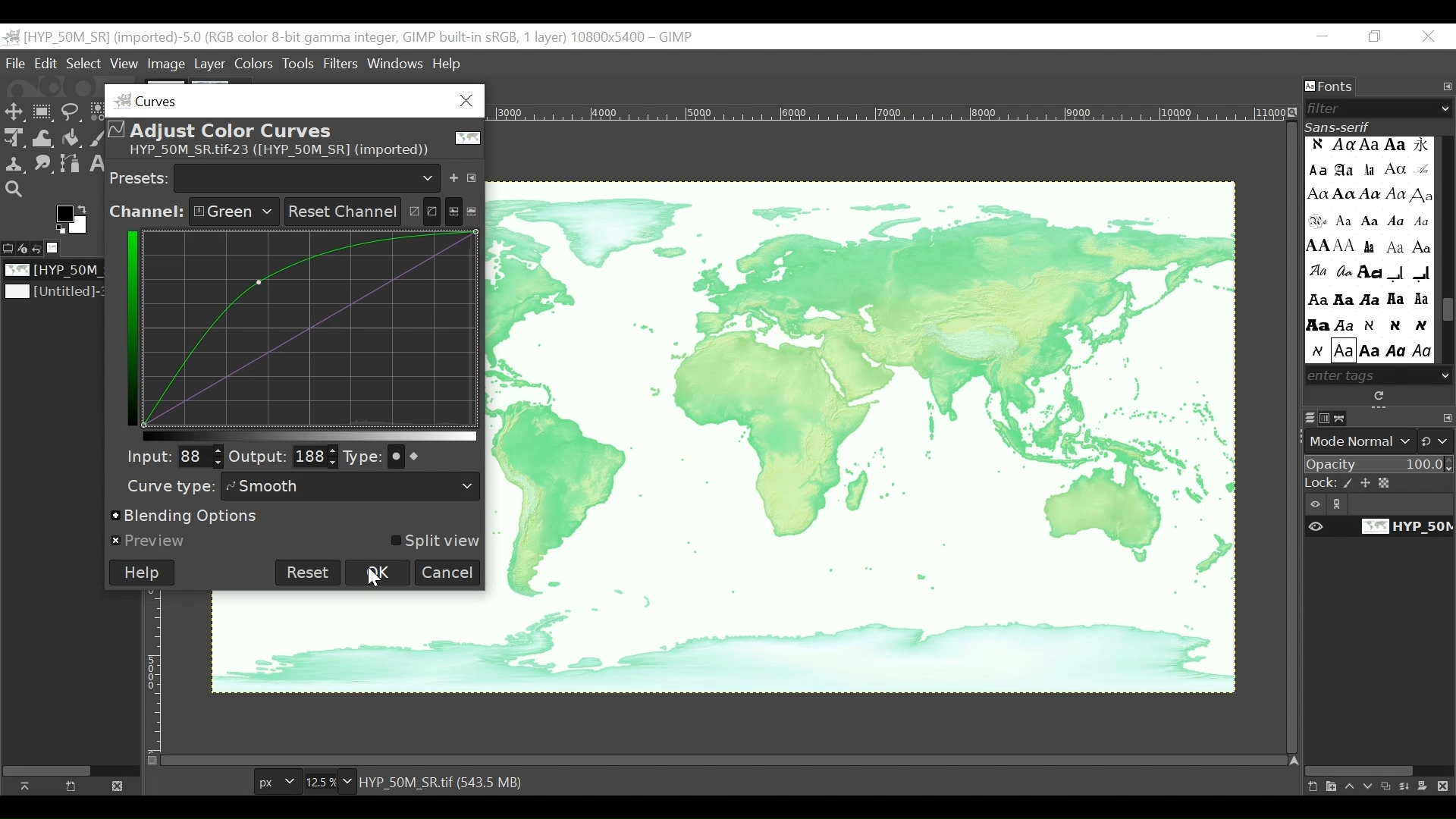 The height and width of the screenshot is (819, 1456). What do you see at coordinates (71, 165) in the screenshot?
I see `Paths Tool` at bounding box center [71, 165].